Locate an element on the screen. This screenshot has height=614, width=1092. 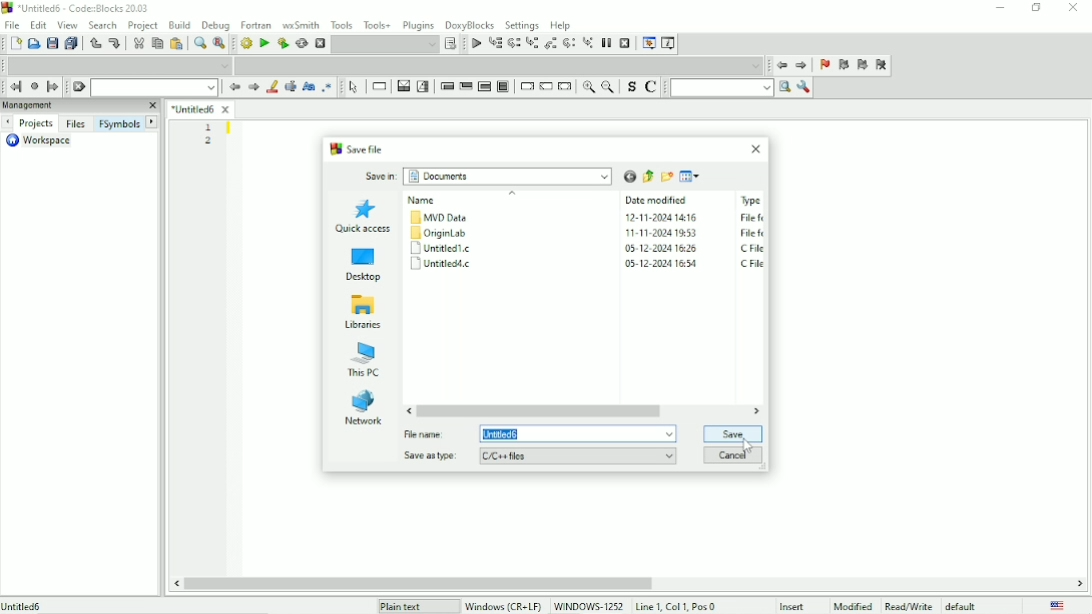
FSymbols is located at coordinates (119, 125).